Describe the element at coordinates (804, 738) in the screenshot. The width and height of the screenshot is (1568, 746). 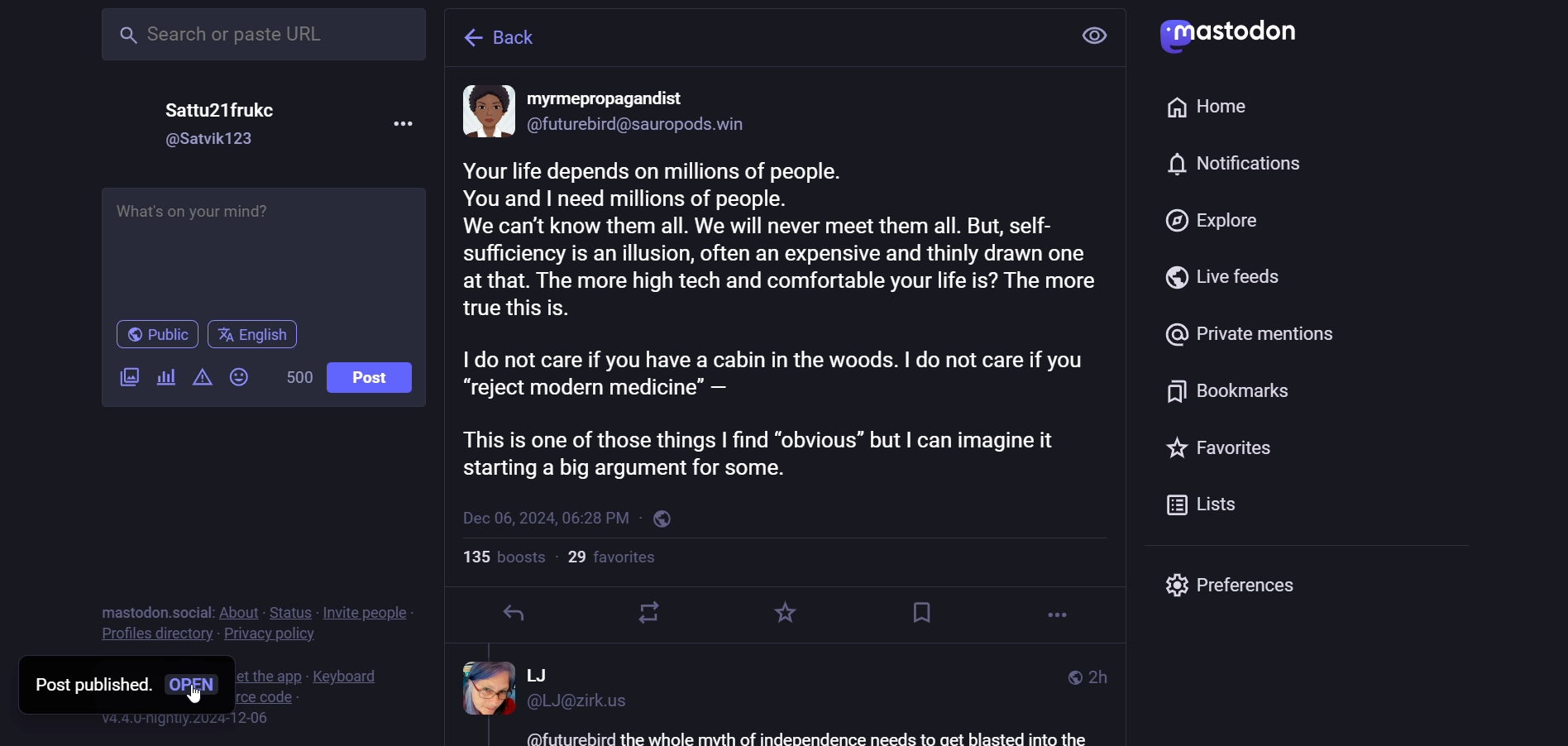
I see `text` at that location.